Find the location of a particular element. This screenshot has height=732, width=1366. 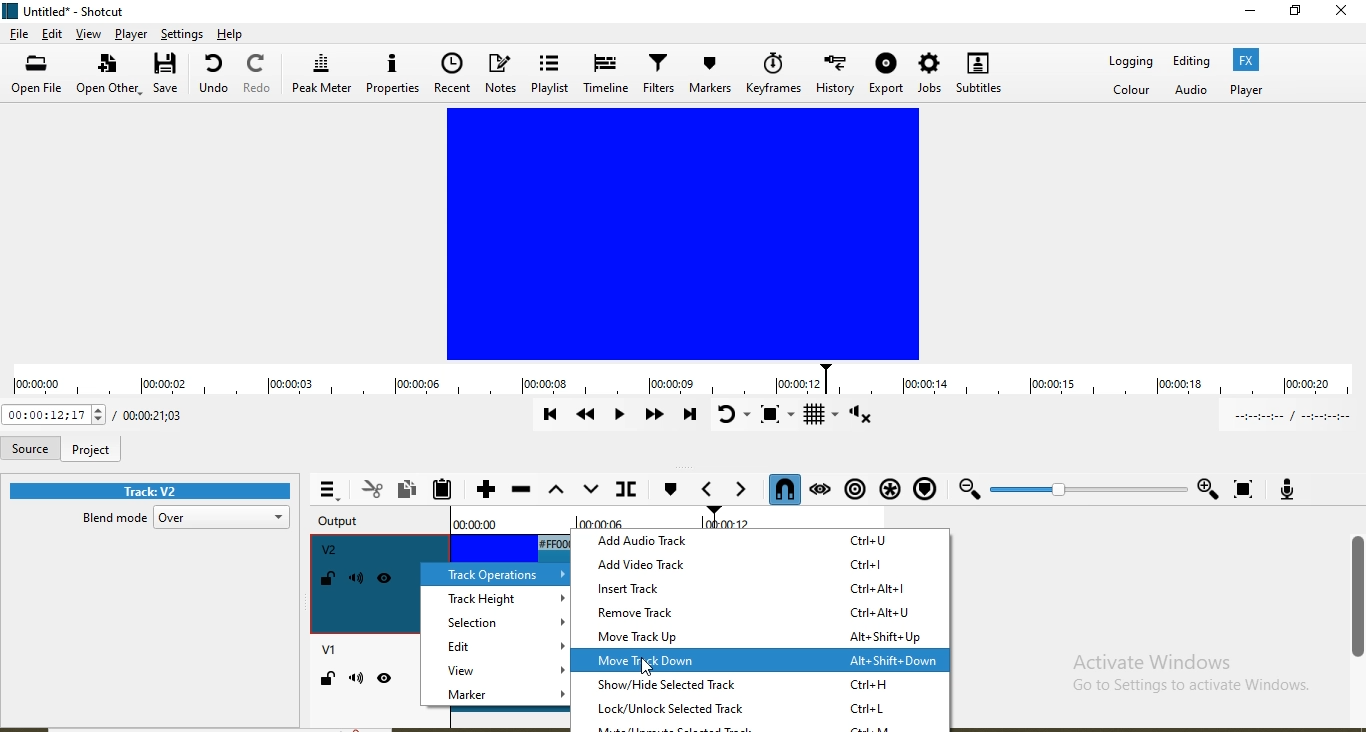

Previous marker is located at coordinates (710, 492).